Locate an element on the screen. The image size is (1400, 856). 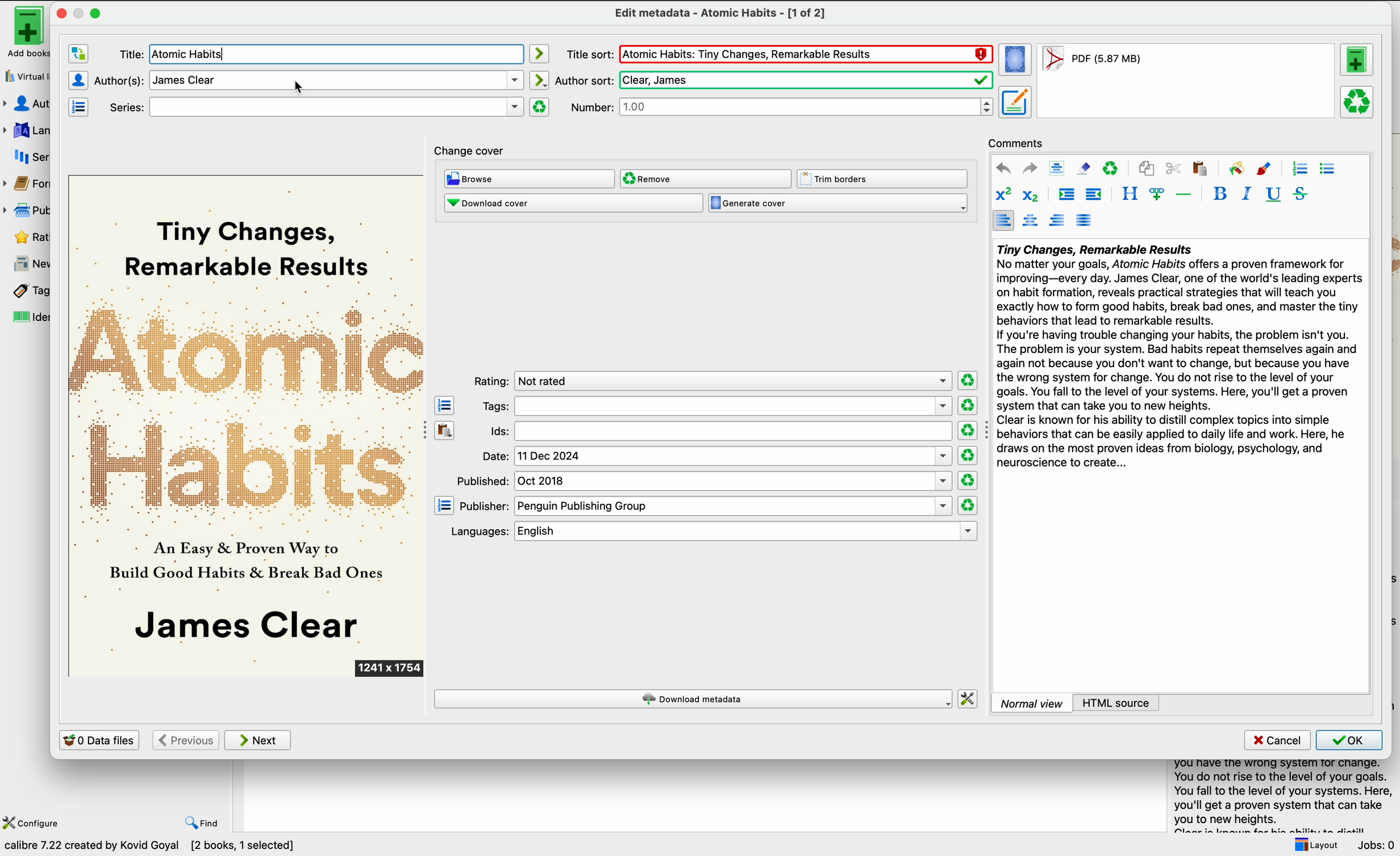
cut is located at coordinates (1173, 168).